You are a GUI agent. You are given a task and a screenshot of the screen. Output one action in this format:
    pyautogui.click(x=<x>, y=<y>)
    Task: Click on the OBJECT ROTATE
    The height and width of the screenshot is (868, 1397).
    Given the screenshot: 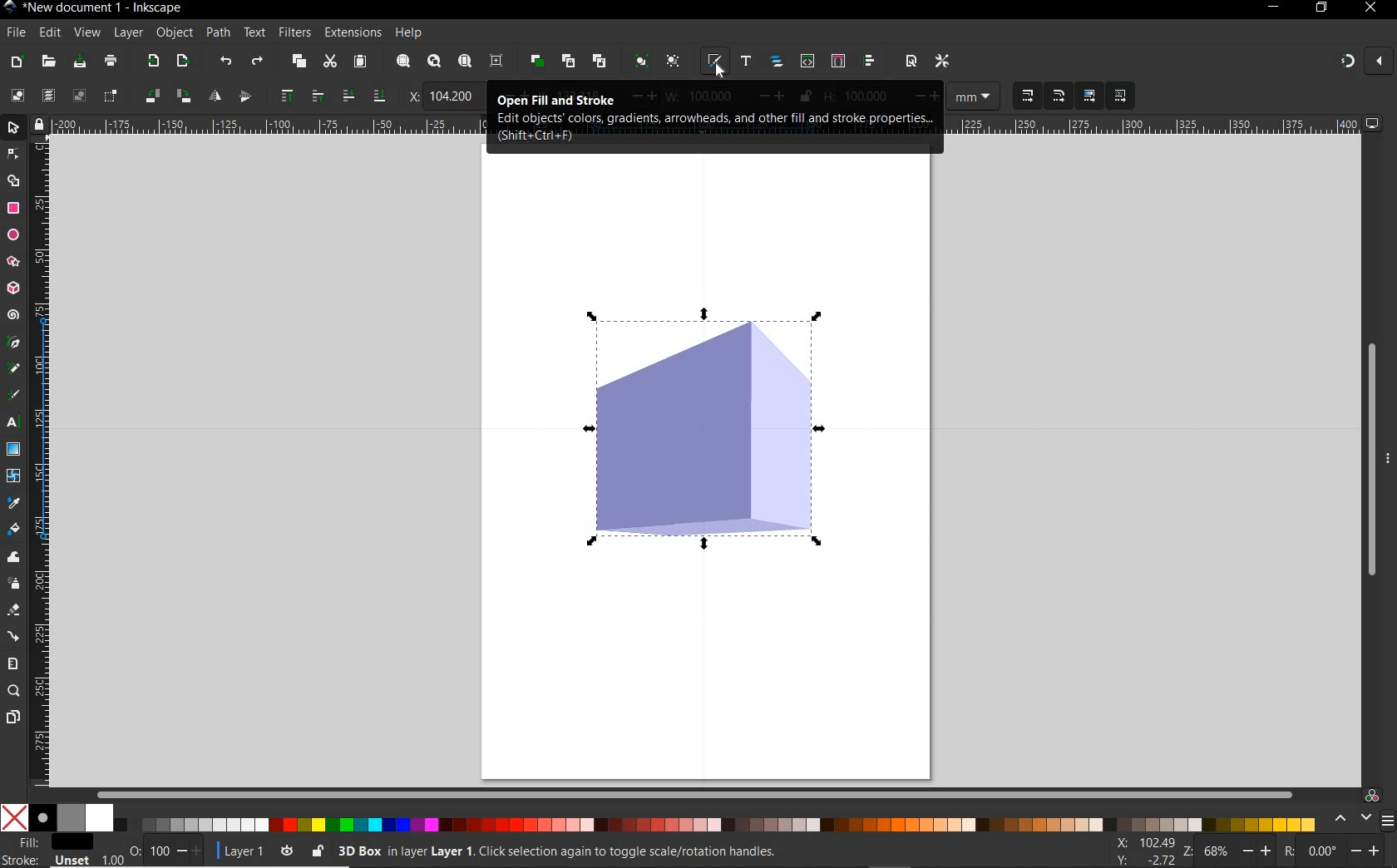 What is the action you would take?
    pyautogui.click(x=151, y=94)
    